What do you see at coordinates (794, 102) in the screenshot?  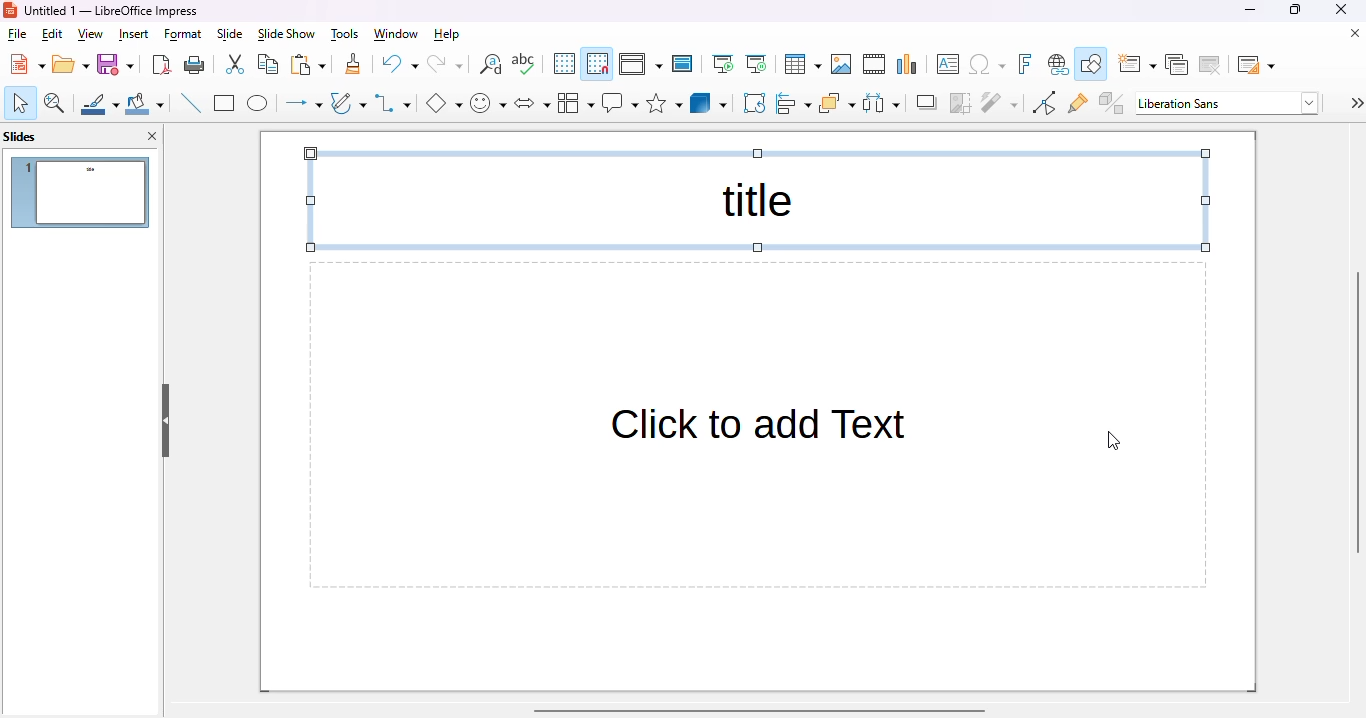 I see `align objects` at bounding box center [794, 102].